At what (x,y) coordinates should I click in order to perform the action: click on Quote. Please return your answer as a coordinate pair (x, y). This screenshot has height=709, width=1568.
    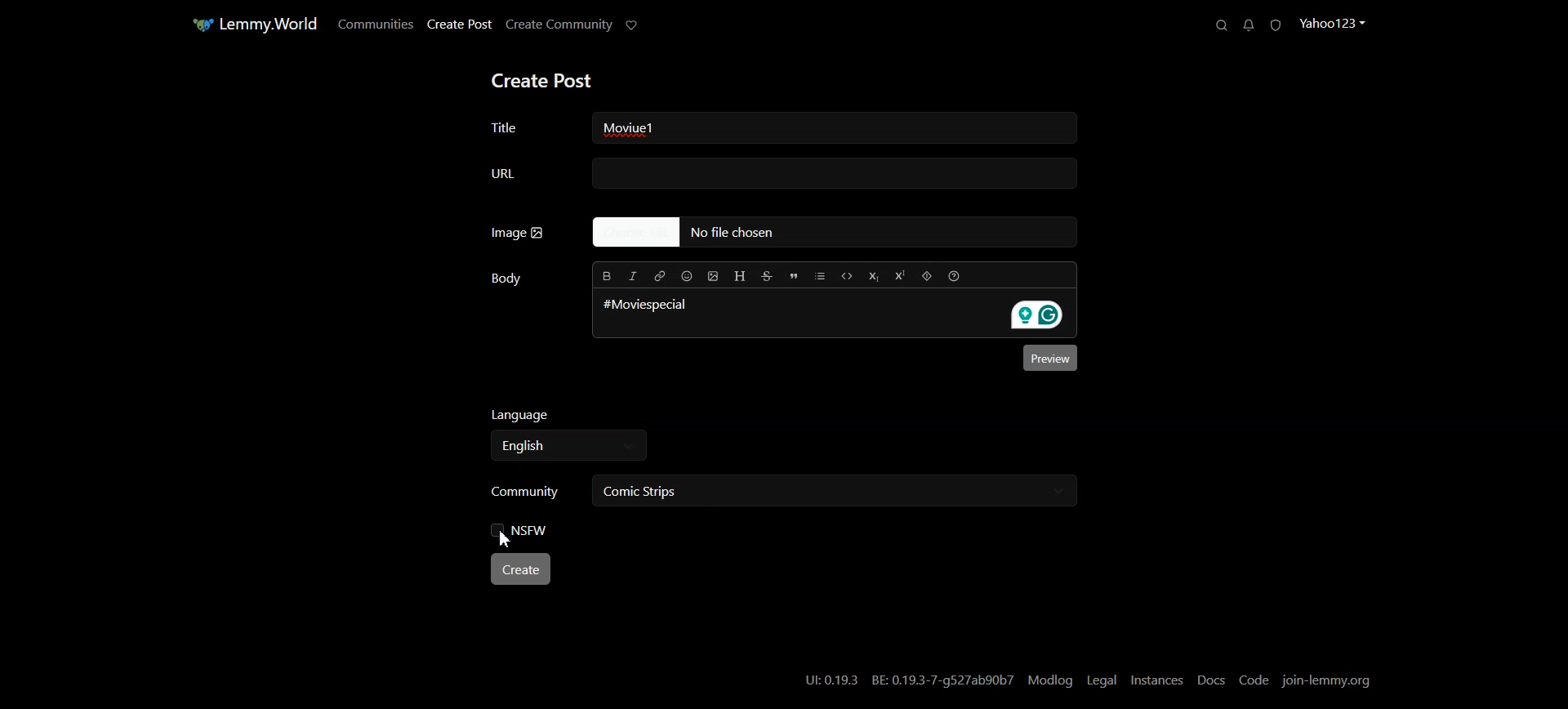
    Looking at the image, I should click on (795, 274).